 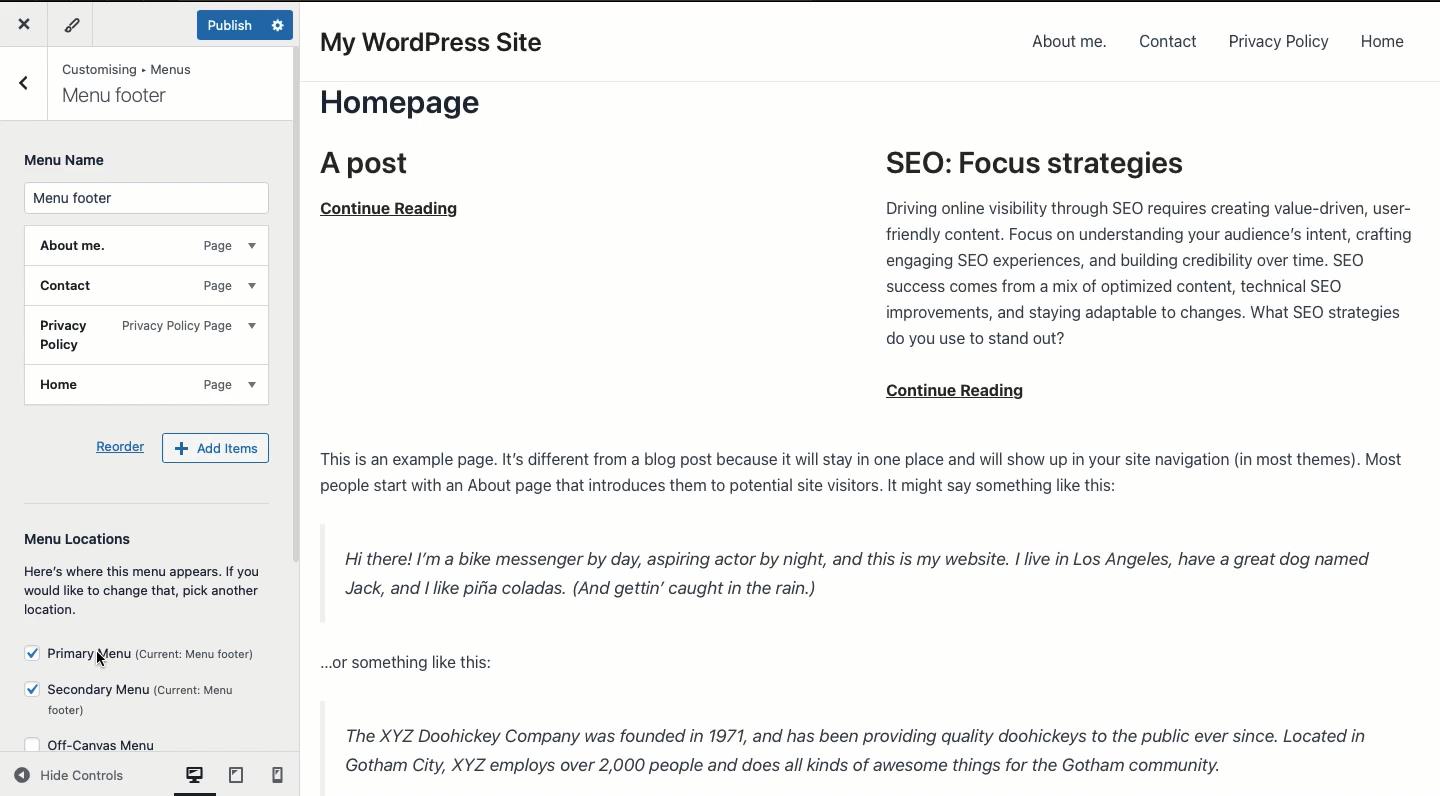 I want to click on cursor, so click(x=106, y=661).